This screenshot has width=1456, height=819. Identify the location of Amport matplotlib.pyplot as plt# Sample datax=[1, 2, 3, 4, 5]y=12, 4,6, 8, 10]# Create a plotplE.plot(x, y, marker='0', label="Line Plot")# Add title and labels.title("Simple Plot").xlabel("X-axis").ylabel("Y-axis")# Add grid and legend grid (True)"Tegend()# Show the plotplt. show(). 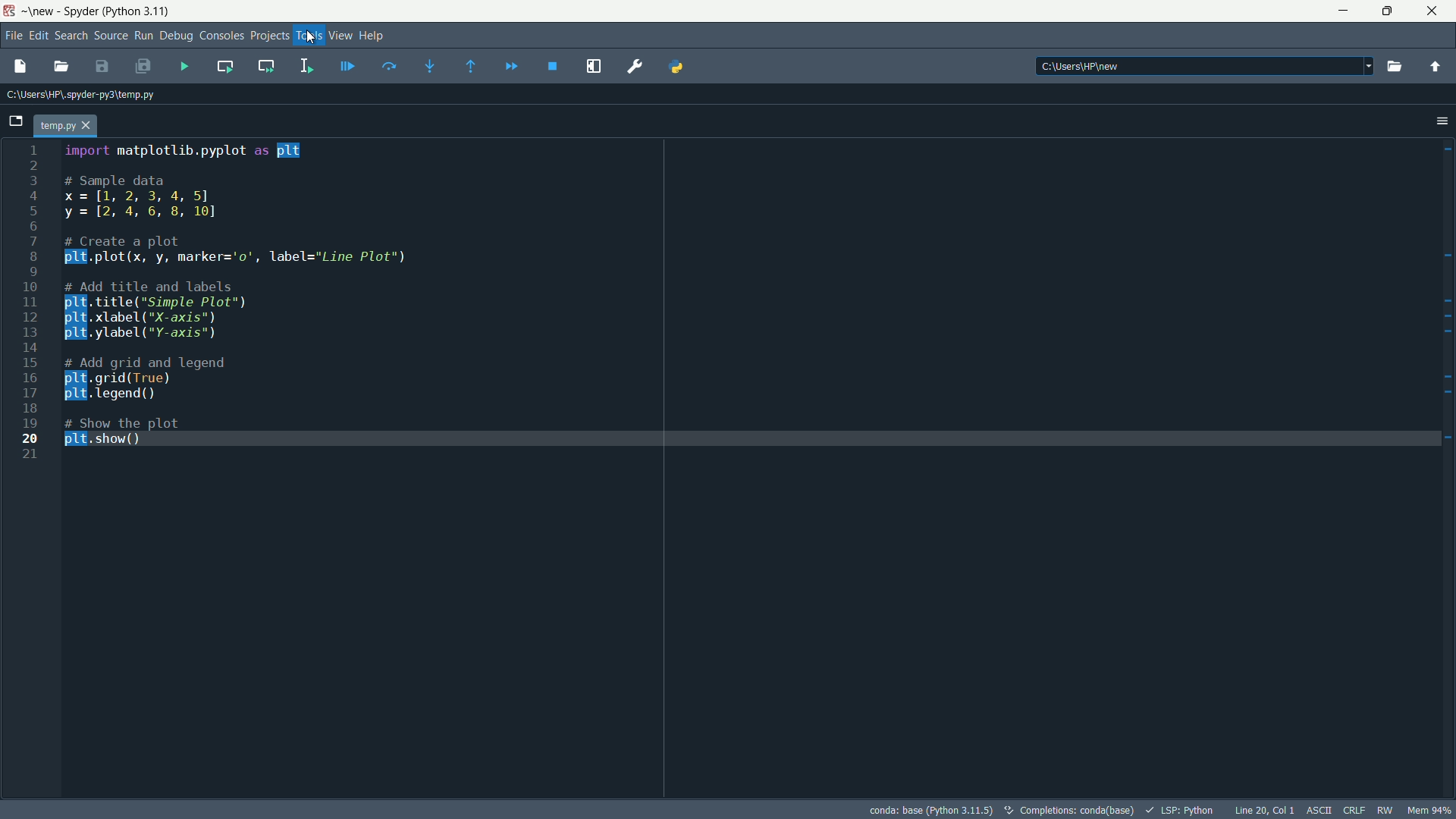
(241, 297).